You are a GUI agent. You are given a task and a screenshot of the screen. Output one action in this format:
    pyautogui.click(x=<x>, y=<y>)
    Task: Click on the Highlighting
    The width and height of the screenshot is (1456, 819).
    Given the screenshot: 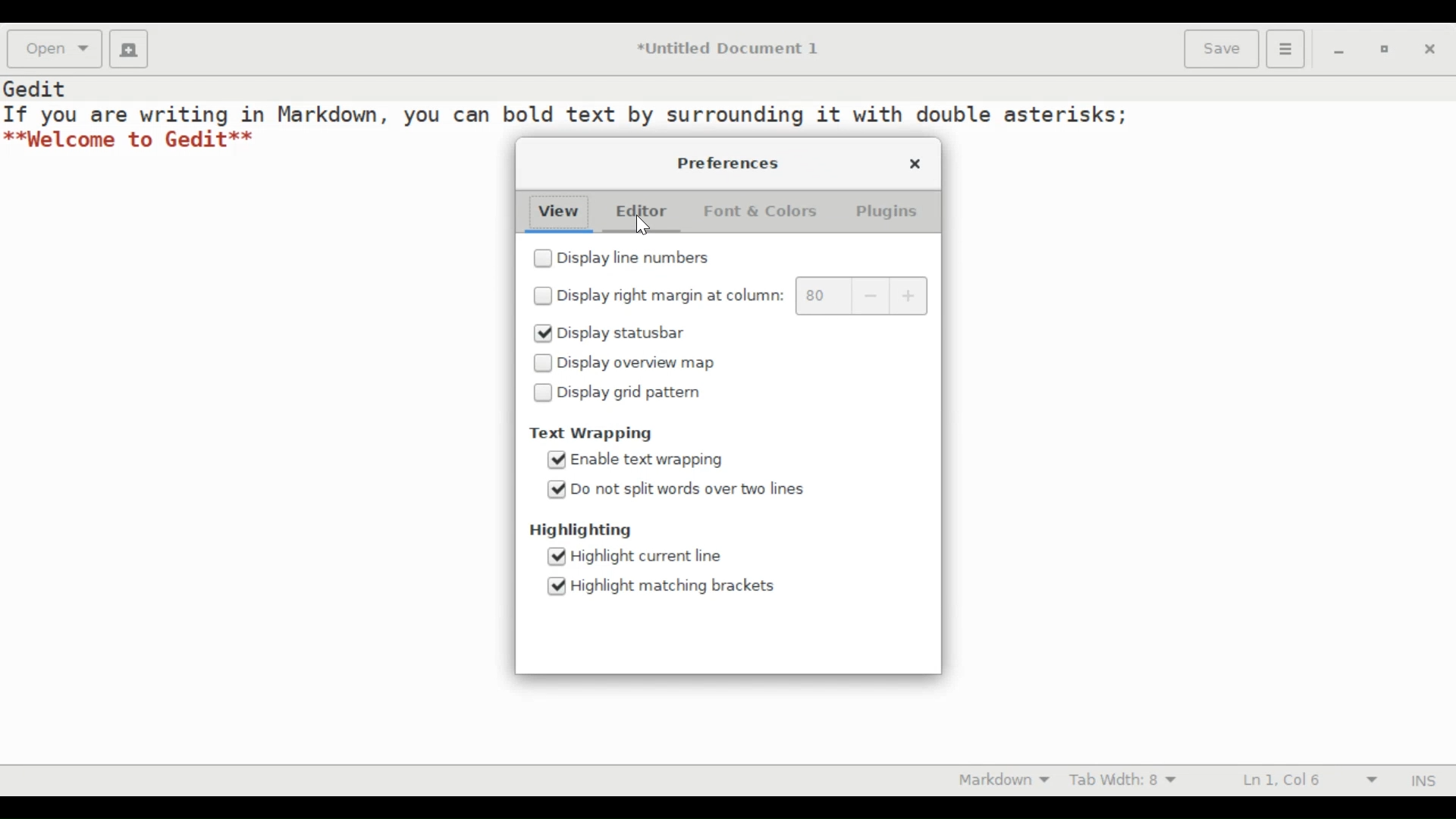 What is the action you would take?
    pyautogui.click(x=581, y=530)
    